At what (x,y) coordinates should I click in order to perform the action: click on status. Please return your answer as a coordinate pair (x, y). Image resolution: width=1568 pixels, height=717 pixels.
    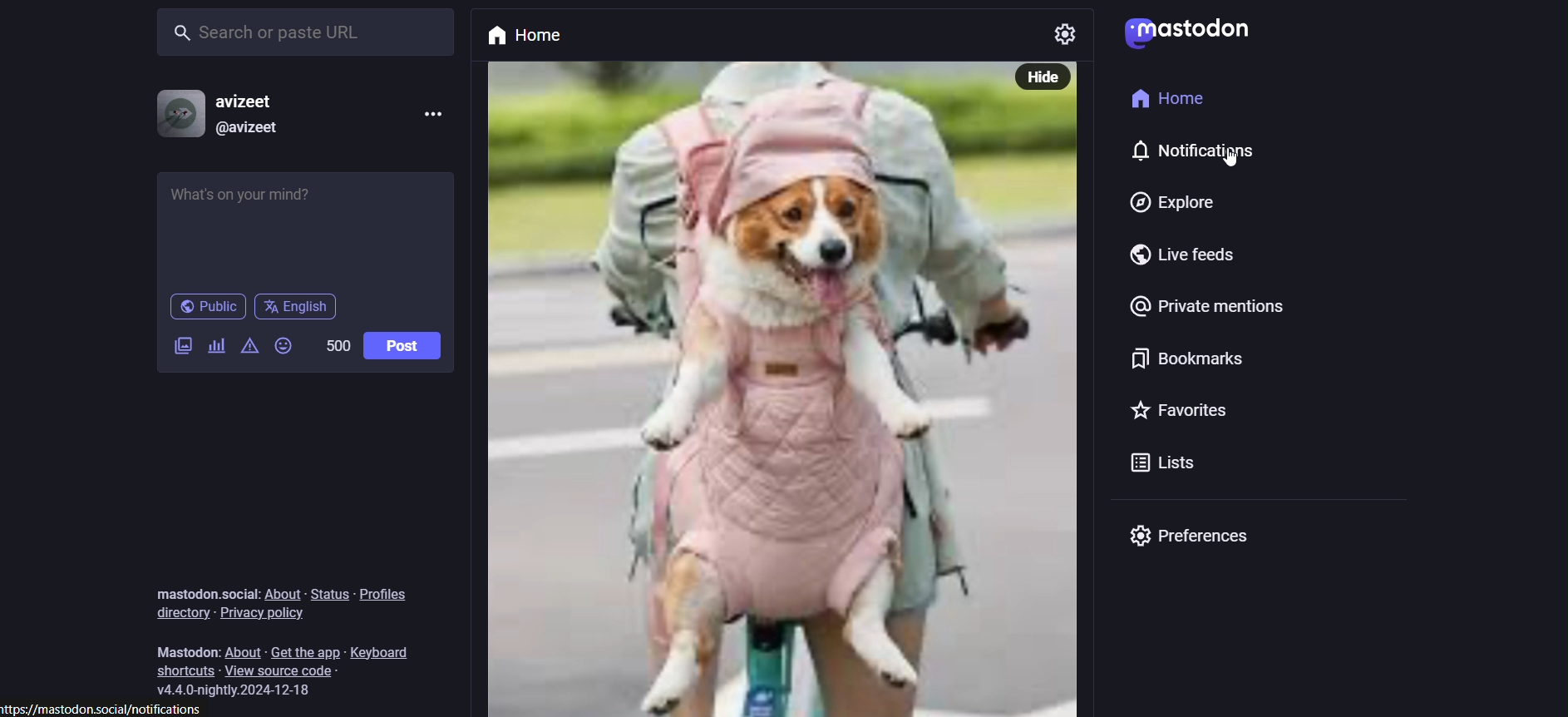
    Looking at the image, I should click on (328, 593).